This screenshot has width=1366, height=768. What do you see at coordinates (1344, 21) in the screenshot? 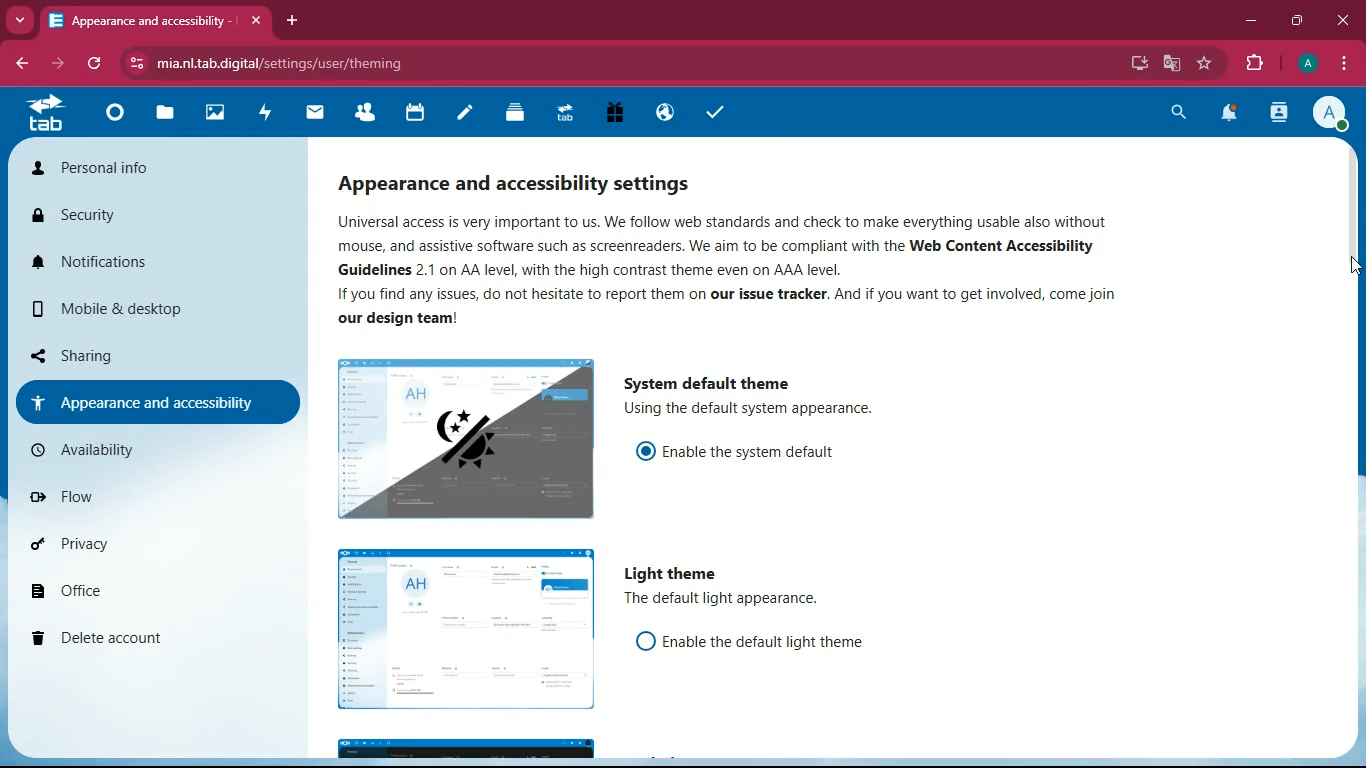
I see `close` at bounding box center [1344, 21].